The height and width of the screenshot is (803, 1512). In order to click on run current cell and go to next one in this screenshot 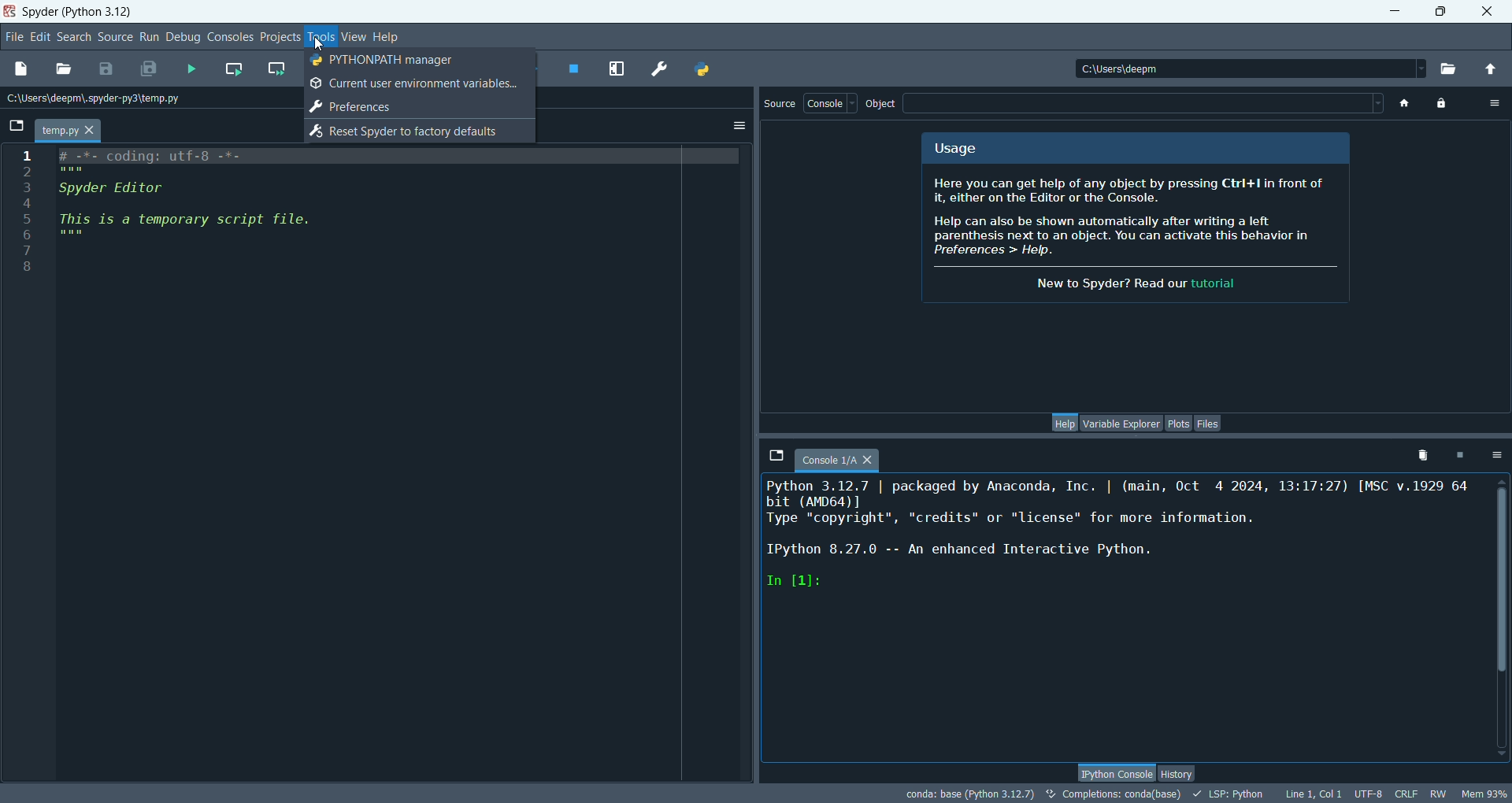, I will do `click(279, 71)`.